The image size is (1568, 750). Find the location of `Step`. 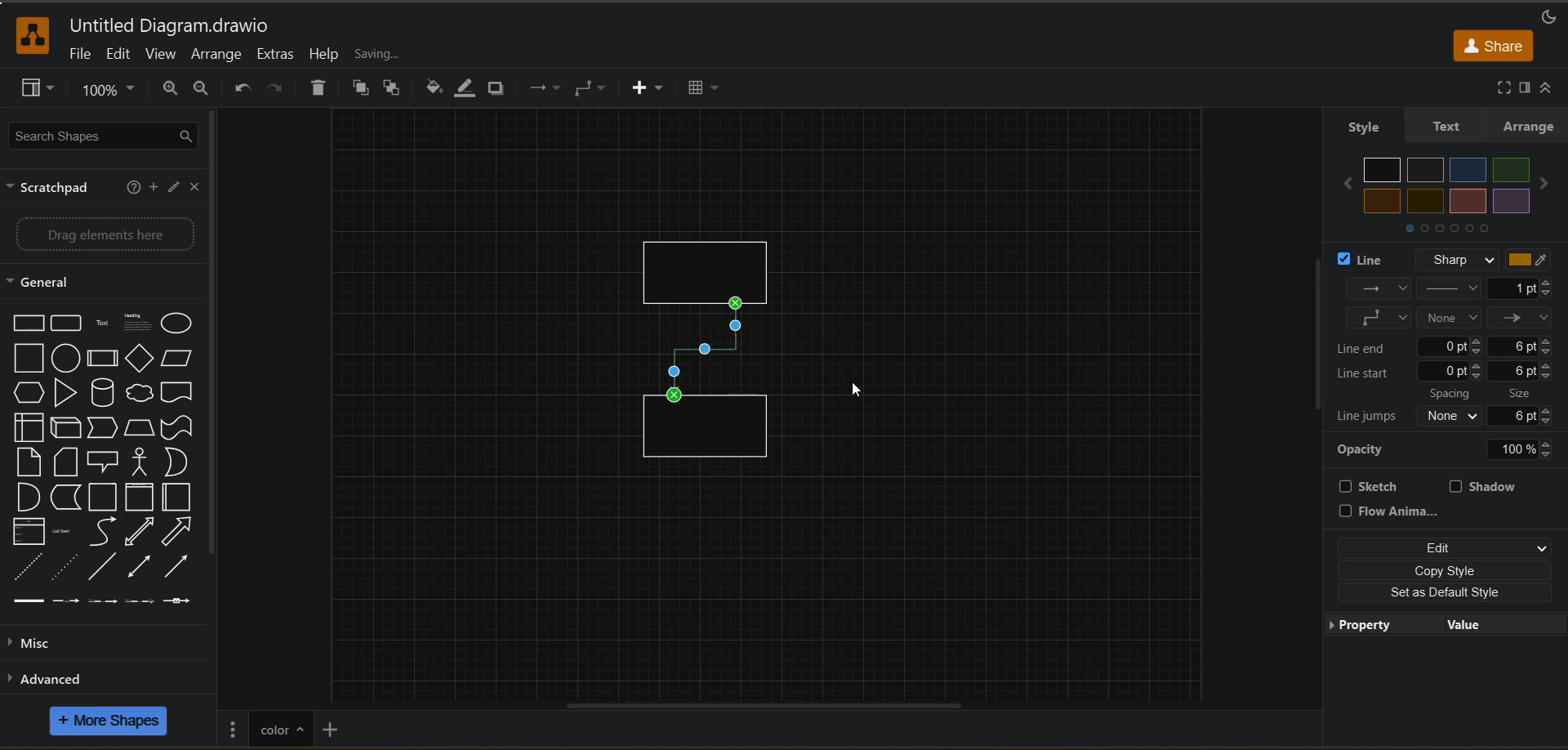

Step is located at coordinates (106, 429).